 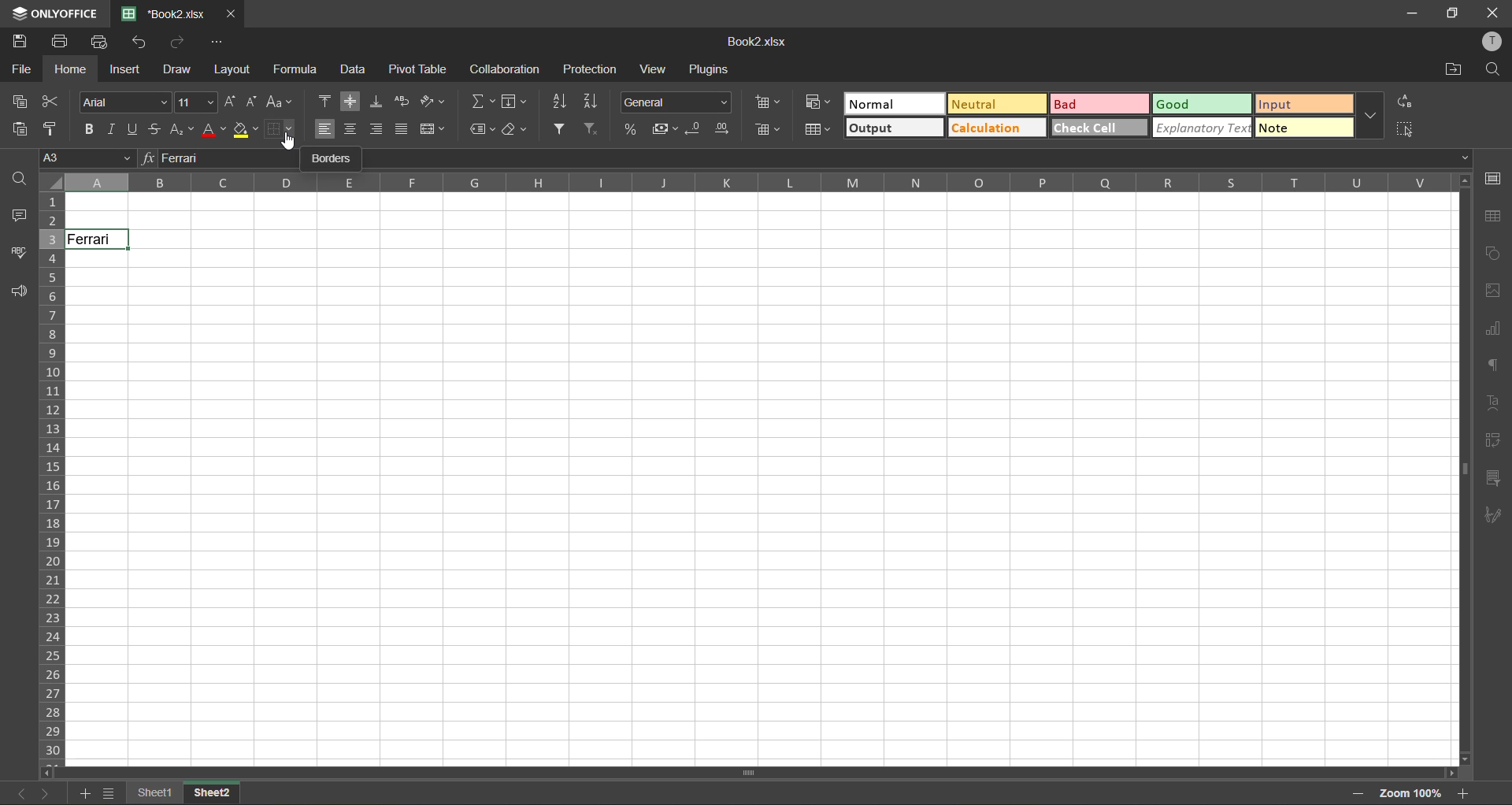 I want to click on add sheet, so click(x=82, y=795).